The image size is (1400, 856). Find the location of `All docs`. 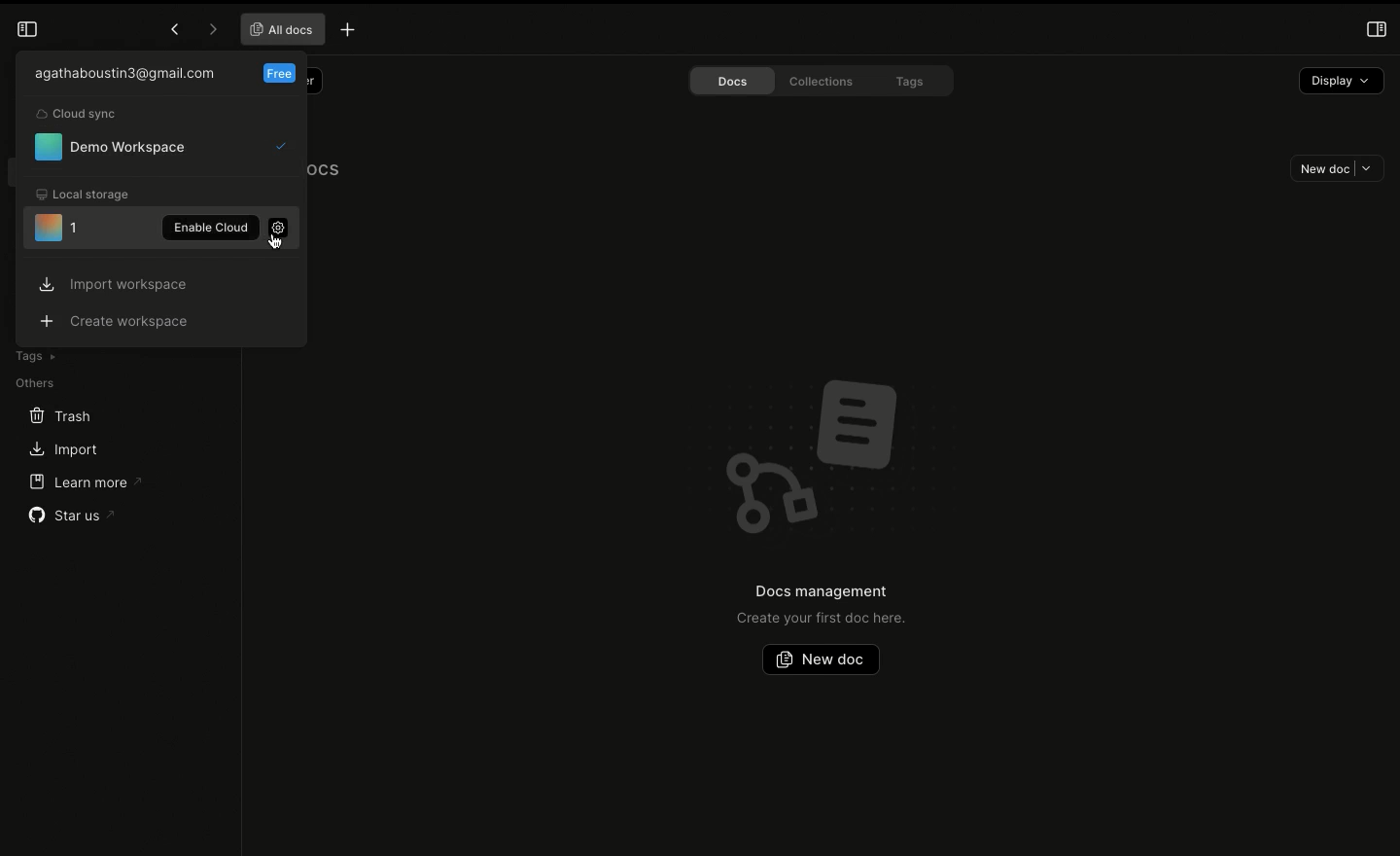

All docs is located at coordinates (277, 30).